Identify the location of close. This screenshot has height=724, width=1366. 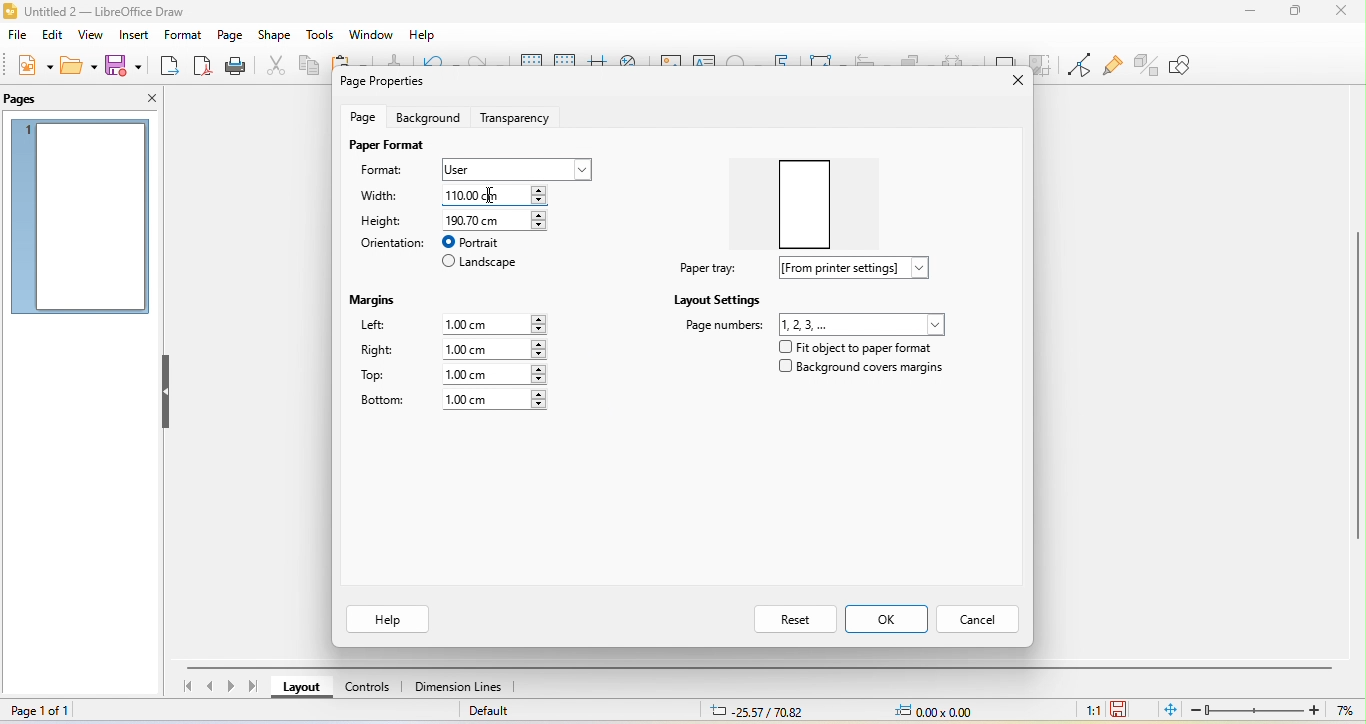
(144, 98).